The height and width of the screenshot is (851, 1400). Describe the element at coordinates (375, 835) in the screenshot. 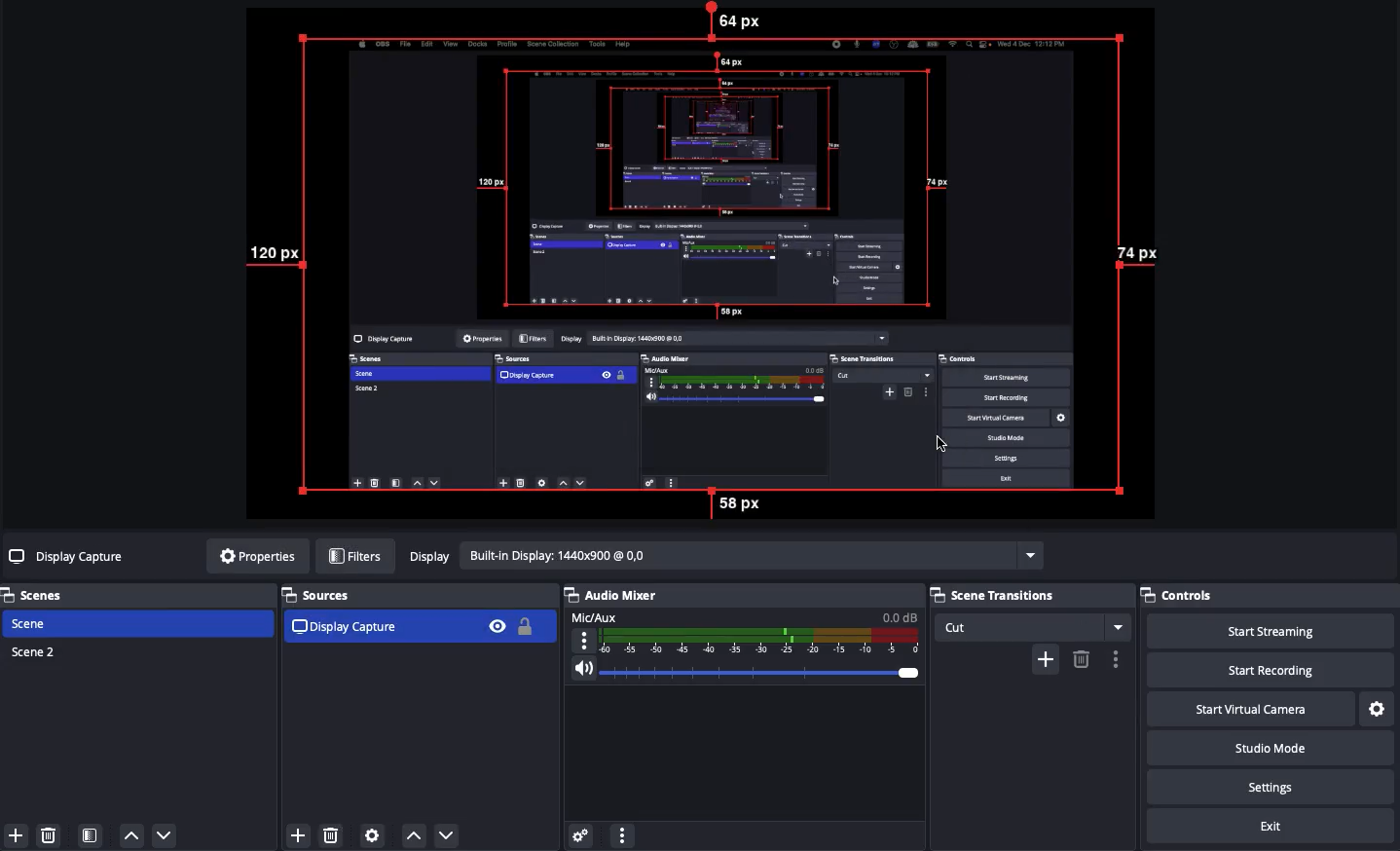

I see `Source preferences` at that location.